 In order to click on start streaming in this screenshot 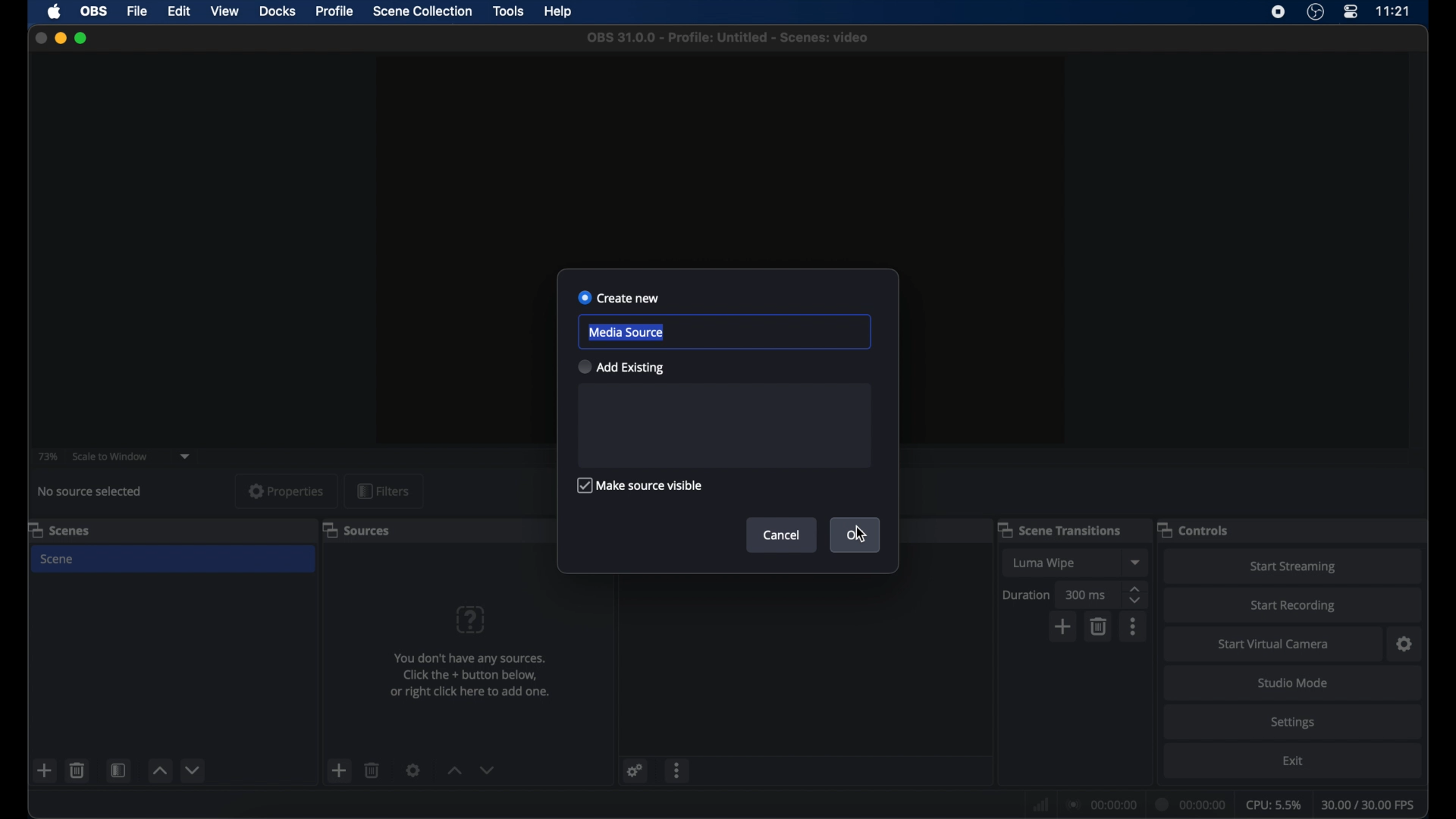, I will do `click(1294, 566)`.